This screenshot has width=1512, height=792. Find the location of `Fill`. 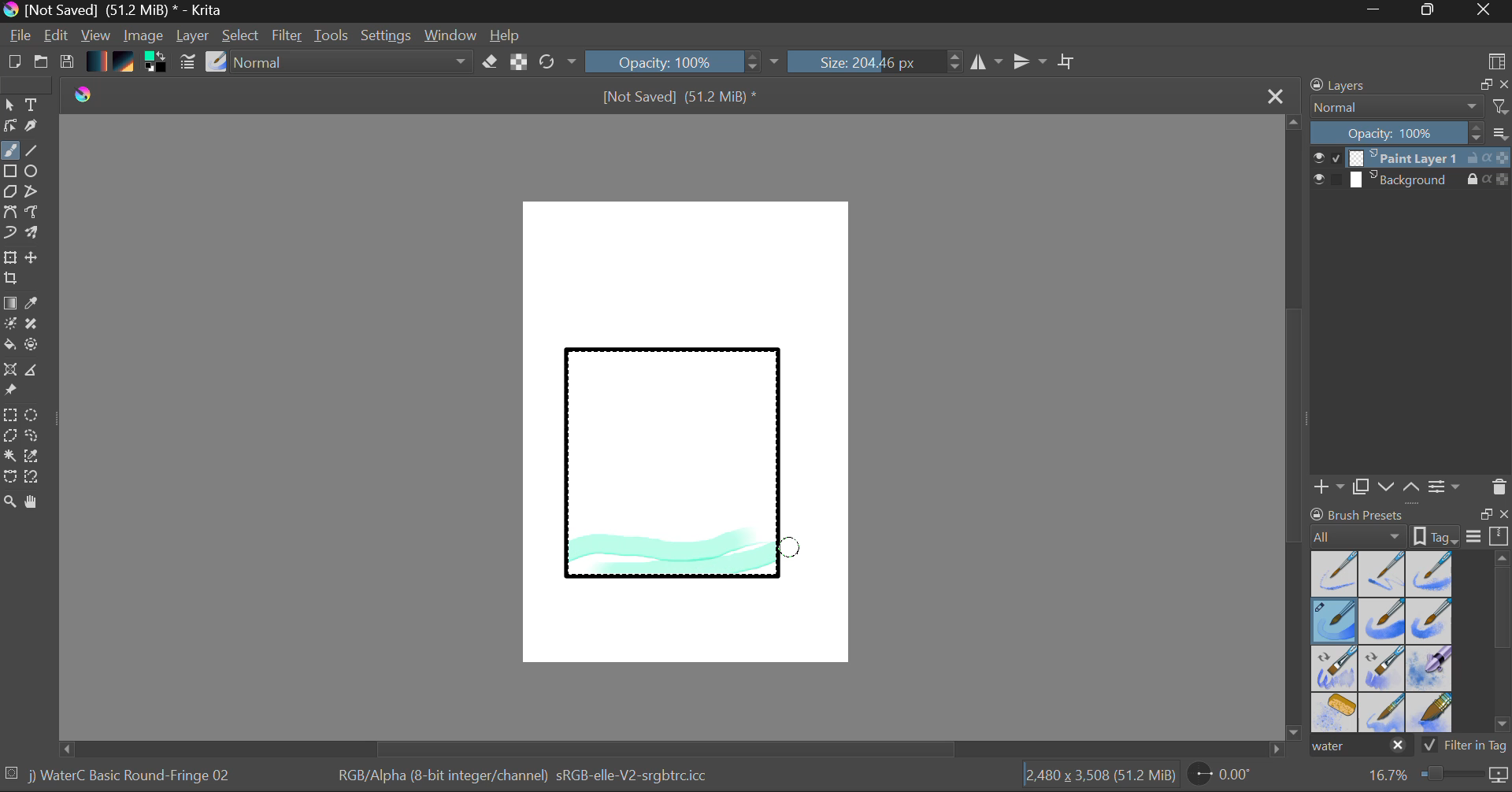

Fill is located at coordinates (9, 347).